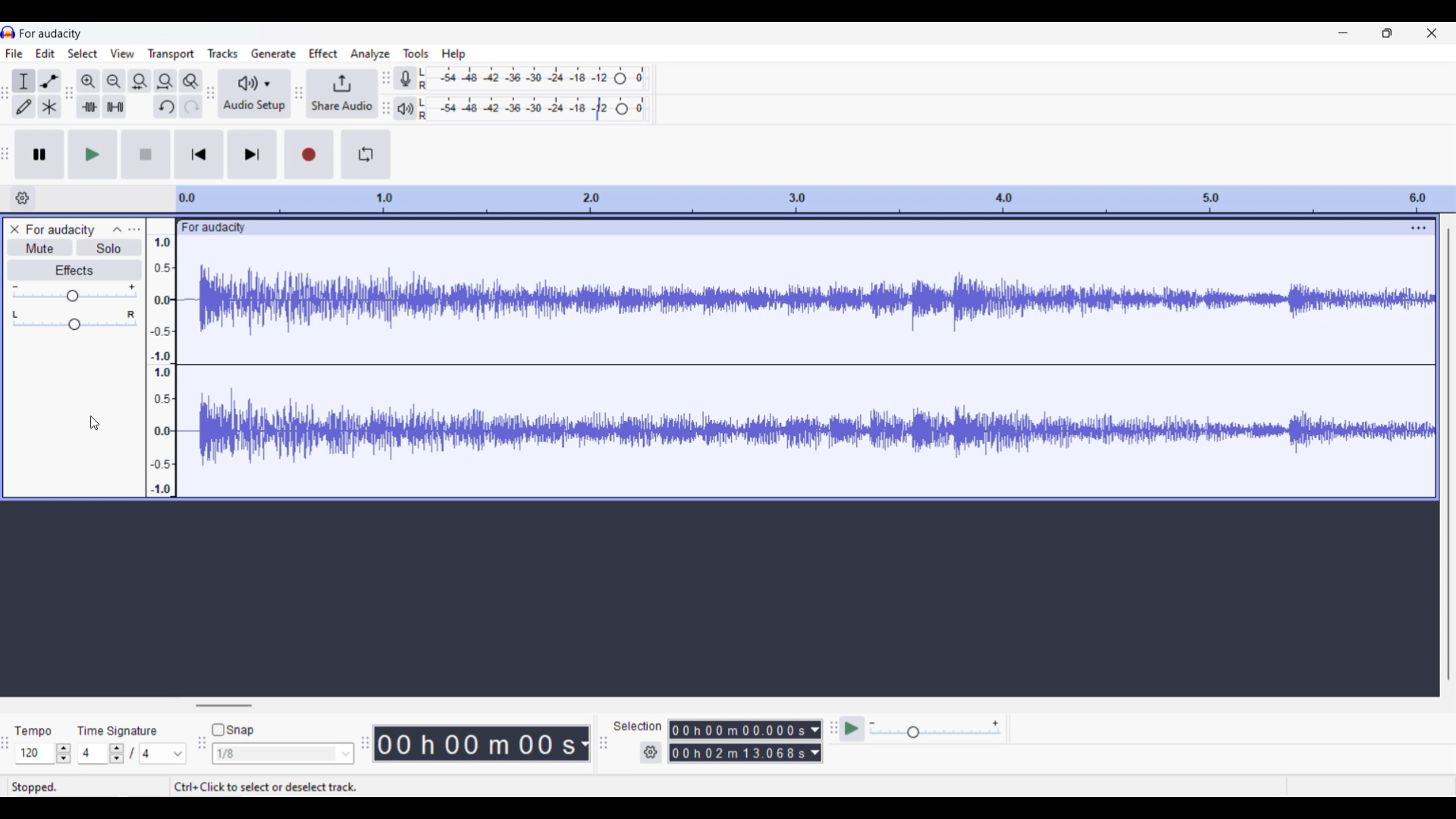 The image size is (1456, 819). Describe the element at coordinates (309, 155) in the screenshot. I see `Record/Record new track` at that location.